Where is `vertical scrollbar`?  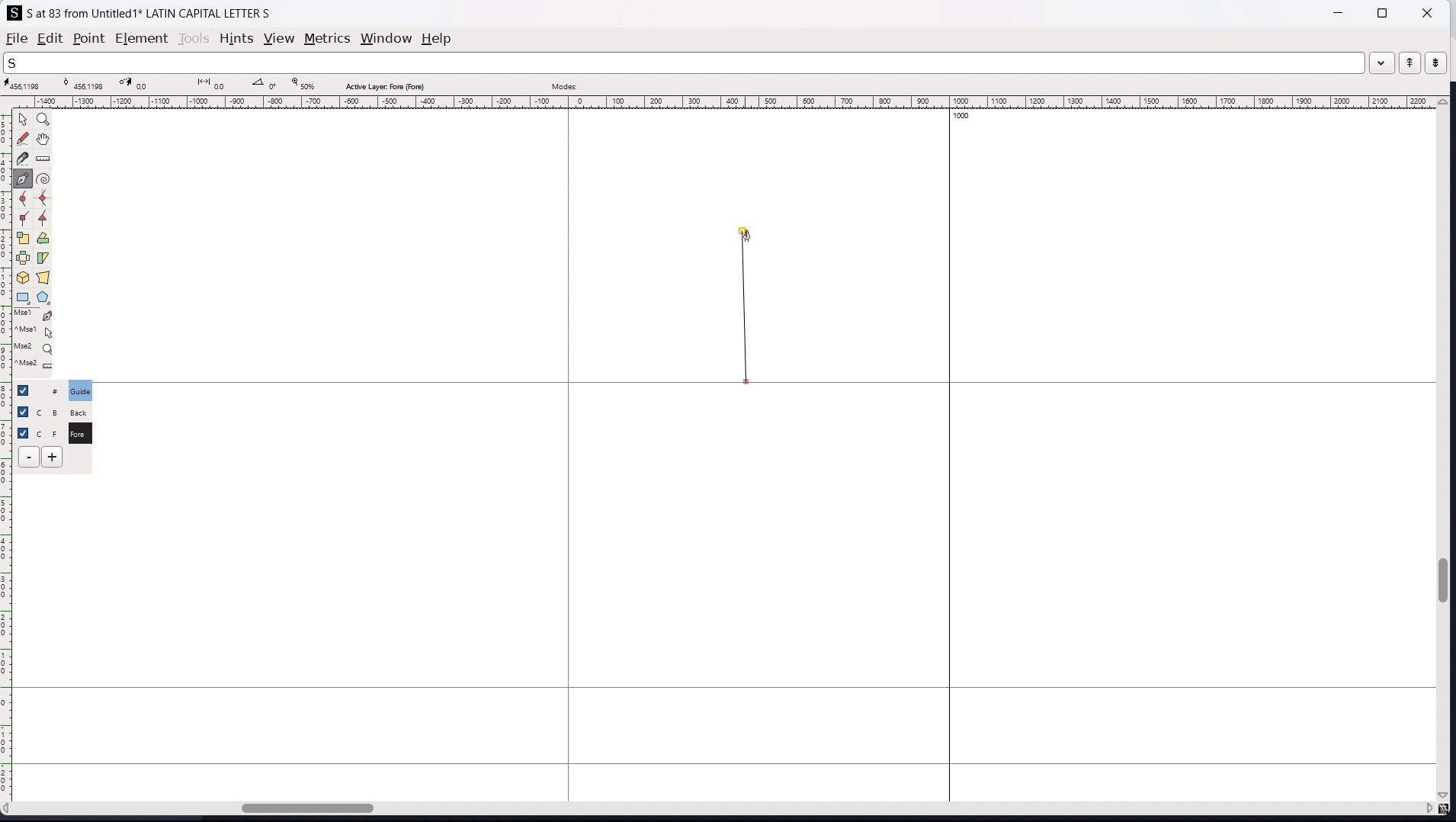 vertical scrollbar is located at coordinates (1446, 450).